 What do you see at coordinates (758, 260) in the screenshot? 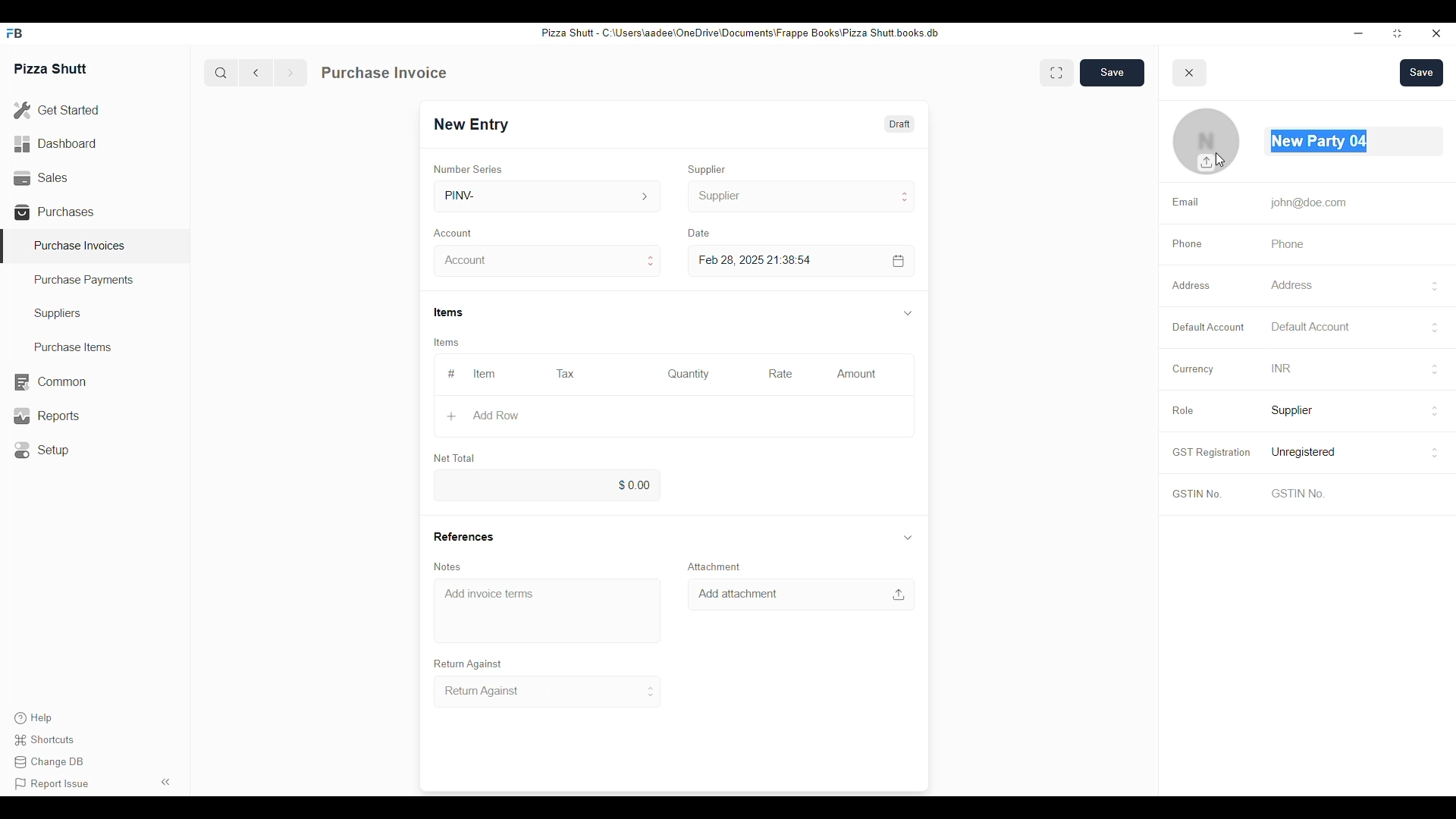
I see `Feb 28, 2025 21:38:54` at bounding box center [758, 260].